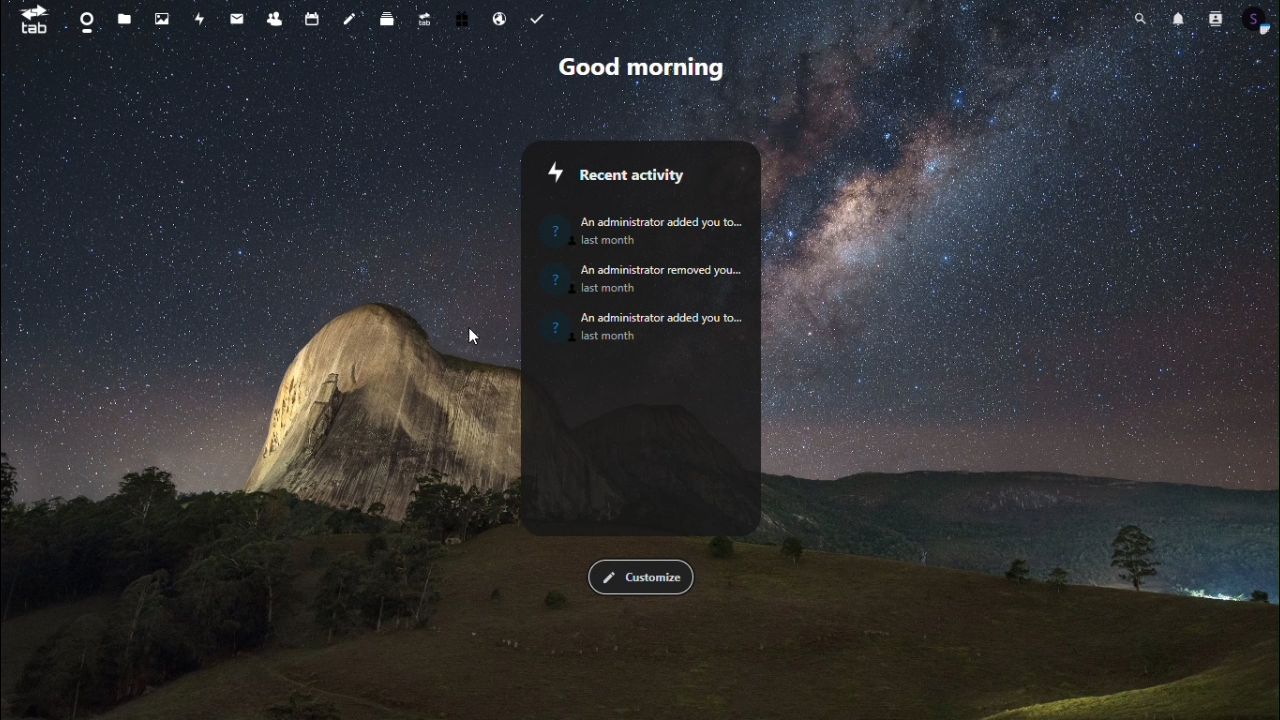  I want to click on search, so click(1135, 23).